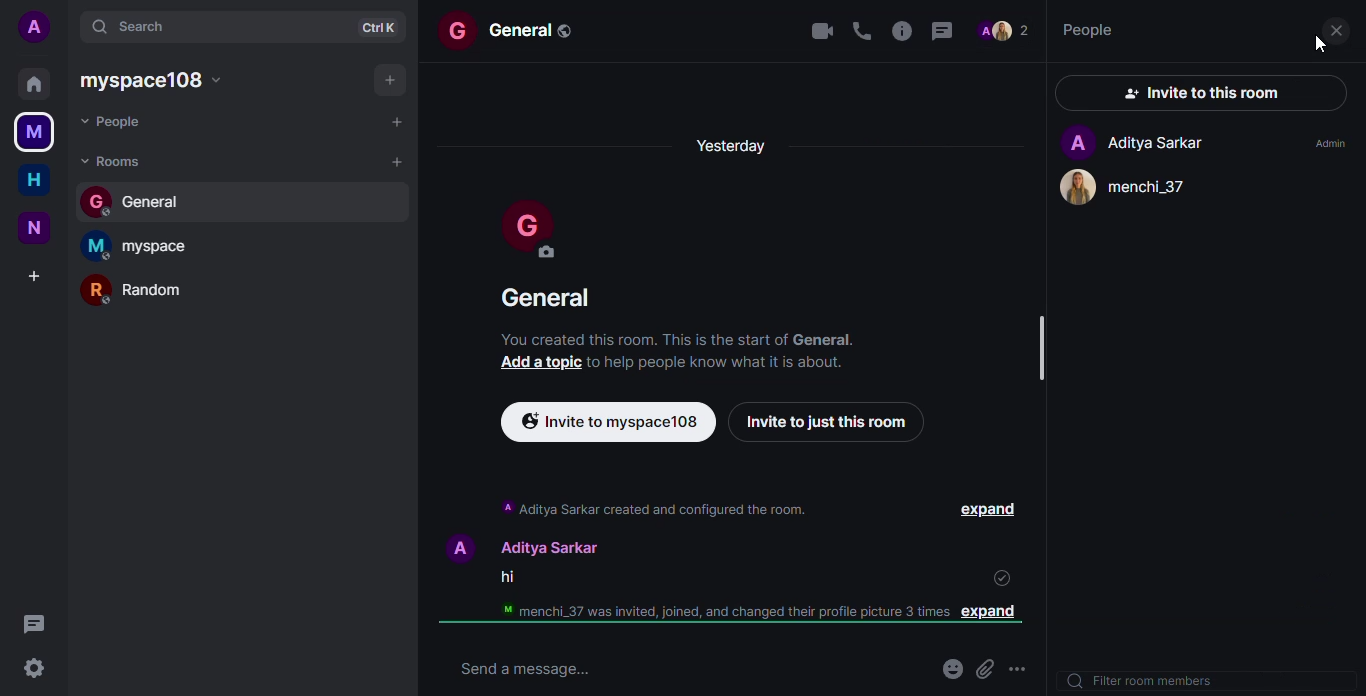 This screenshot has height=696, width=1366. What do you see at coordinates (989, 667) in the screenshot?
I see `attach` at bounding box center [989, 667].